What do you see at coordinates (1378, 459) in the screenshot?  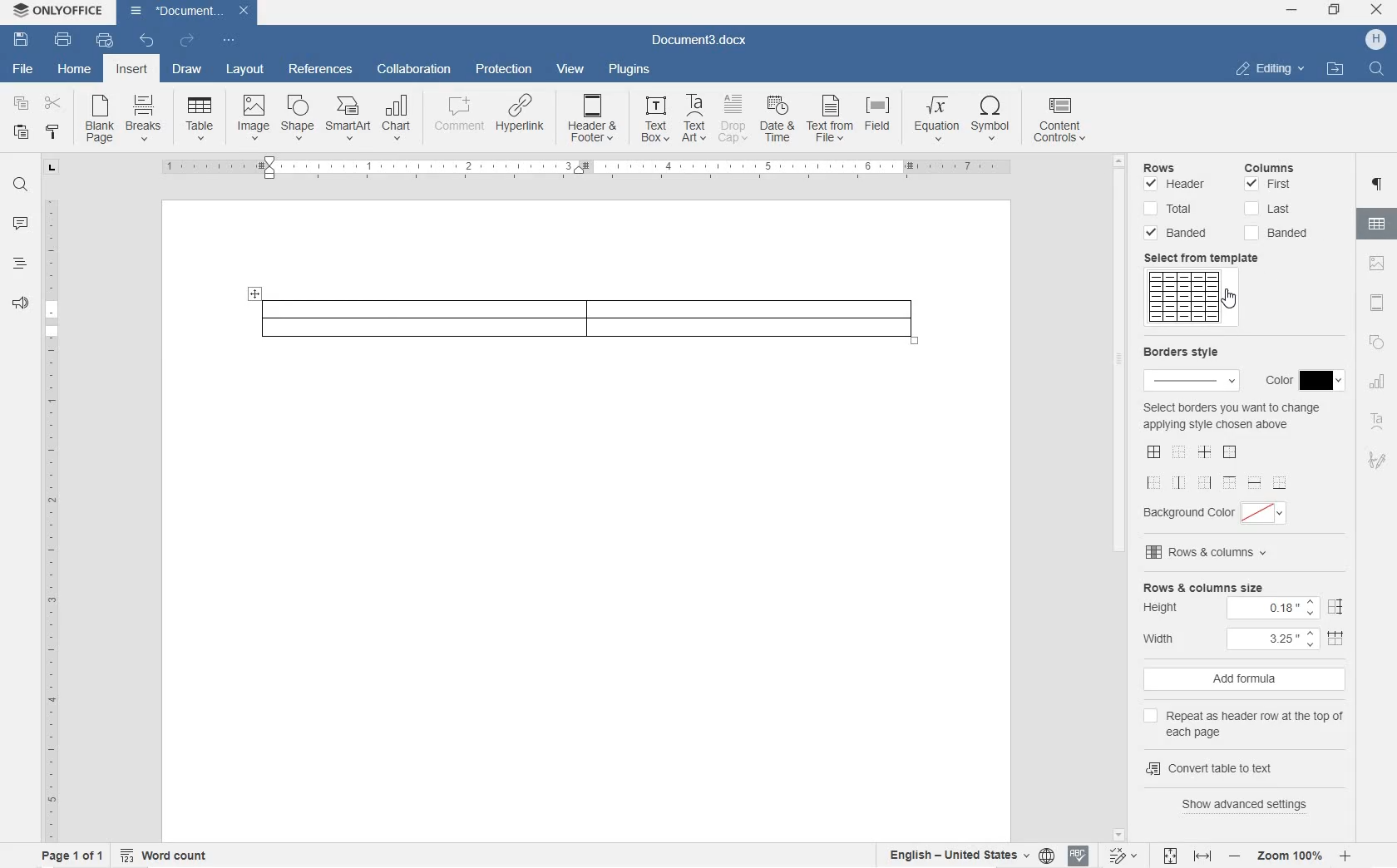 I see `SIGNATURE` at bounding box center [1378, 459].